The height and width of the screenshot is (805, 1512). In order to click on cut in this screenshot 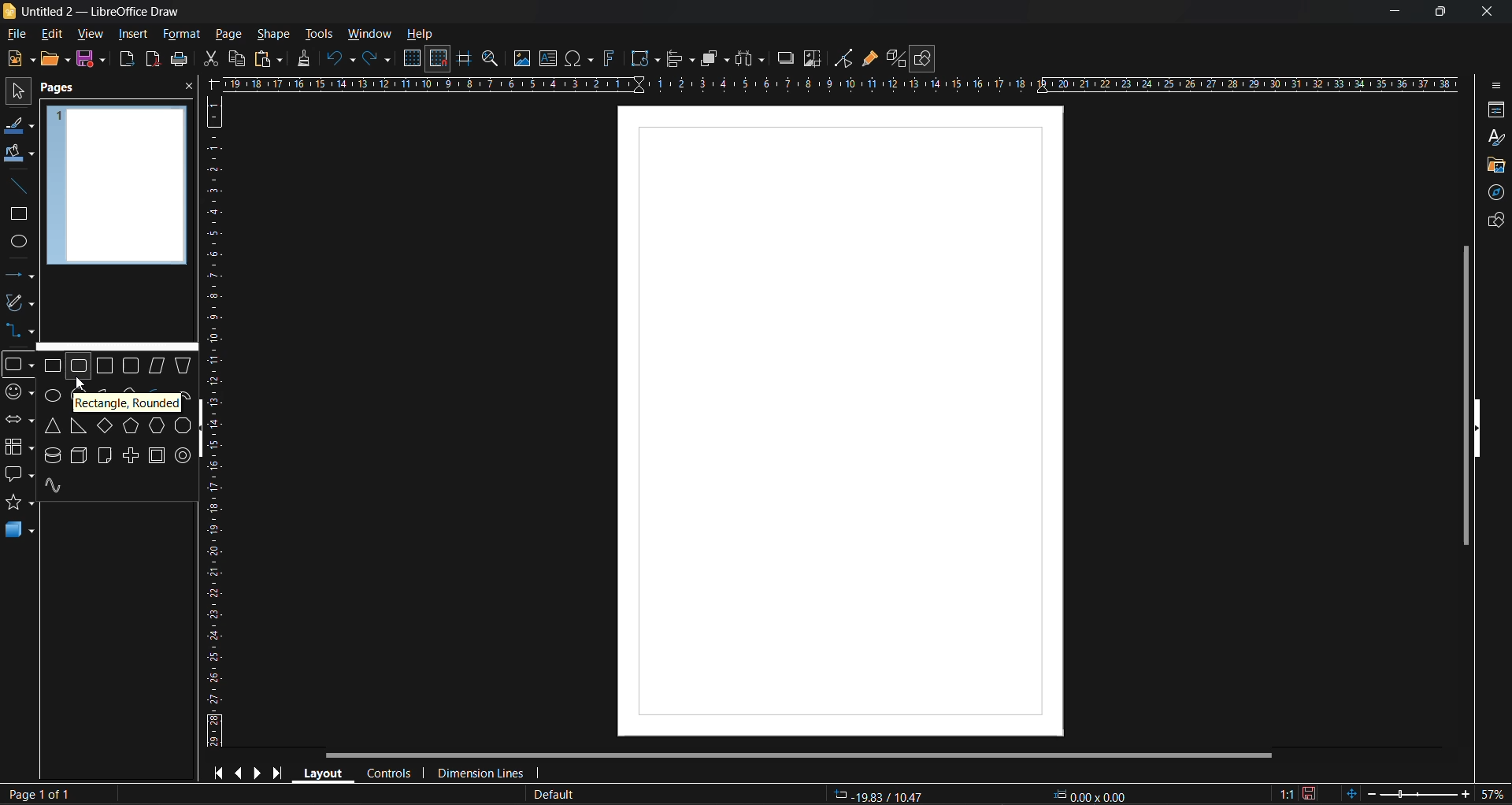, I will do `click(213, 59)`.